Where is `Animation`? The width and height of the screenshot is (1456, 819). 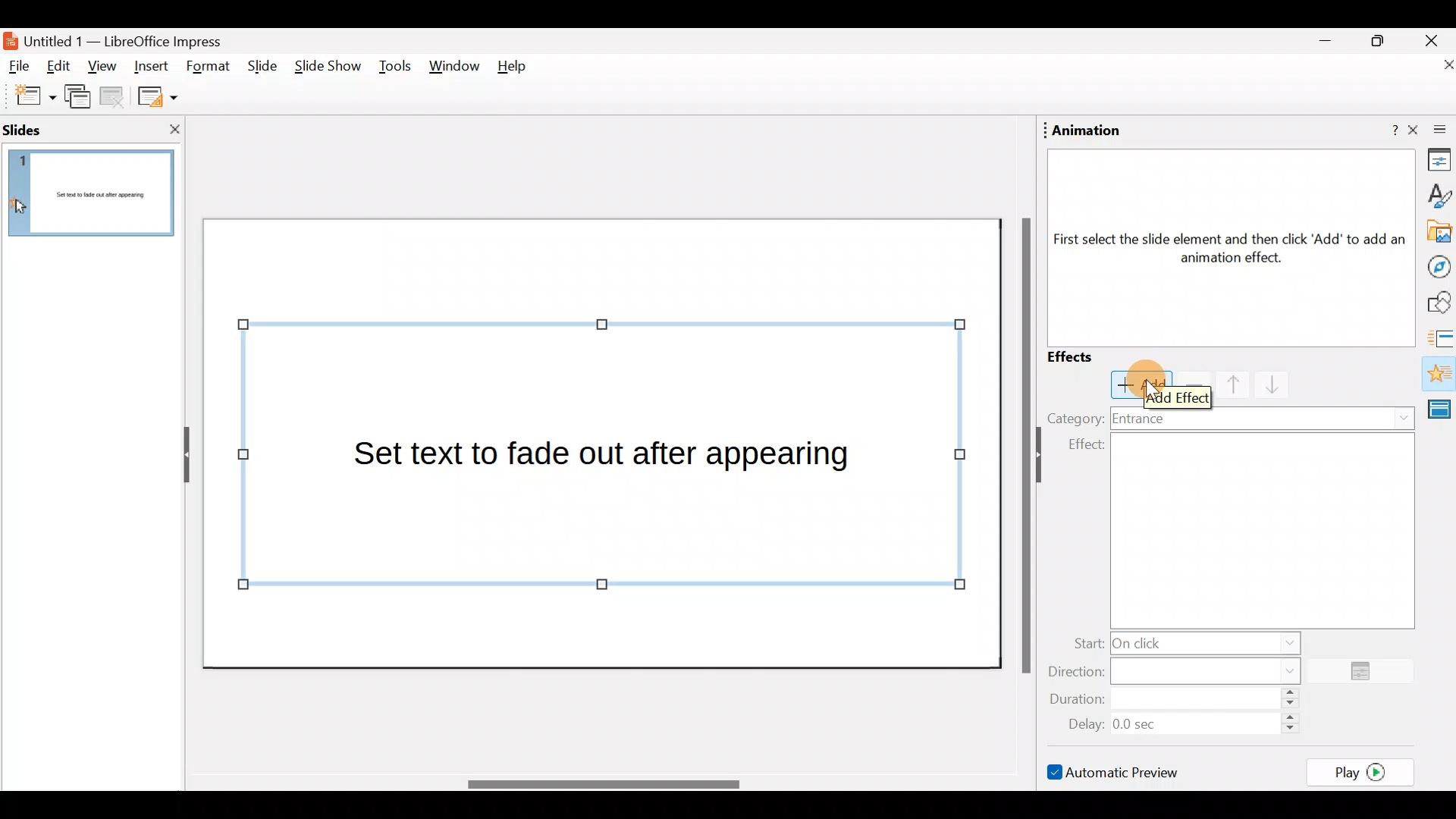
Animation is located at coordinates (1087, 130).